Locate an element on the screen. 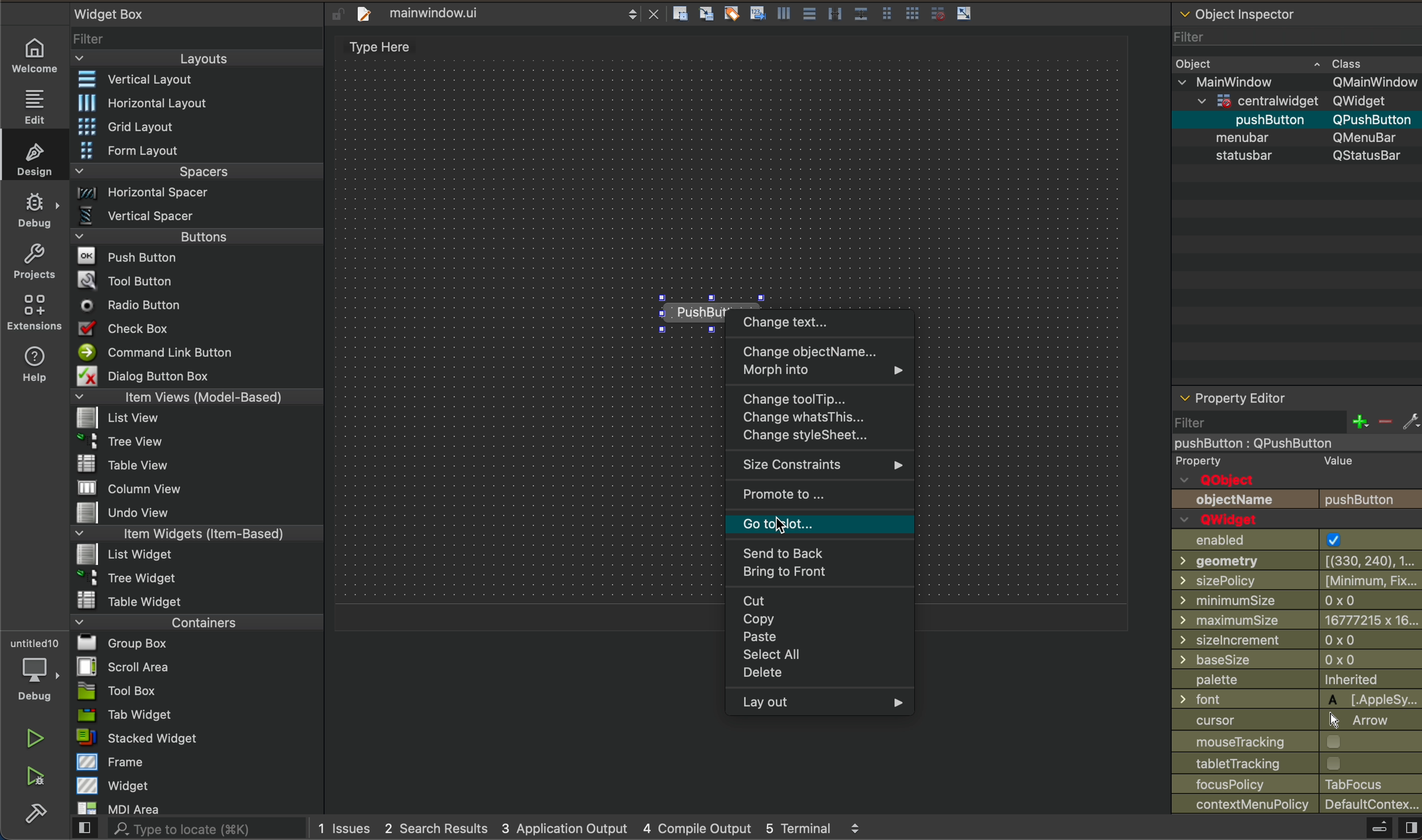 This screenshot has width=1422, height=840. size policy is located at coordinates (1296, 579).